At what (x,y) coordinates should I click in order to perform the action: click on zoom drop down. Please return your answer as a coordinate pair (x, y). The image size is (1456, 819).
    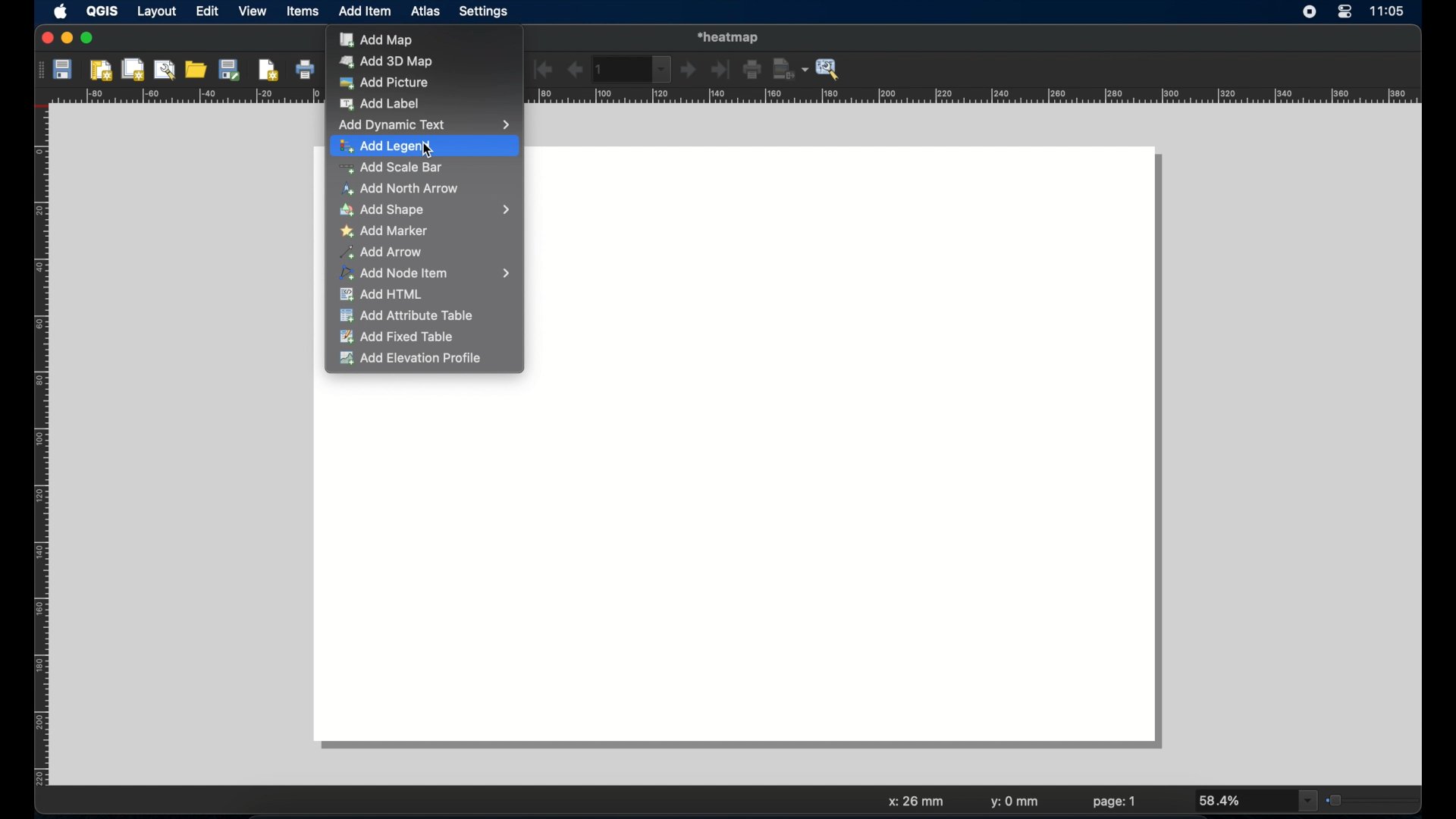
    Looking at the image, I should click on (1258, 801).